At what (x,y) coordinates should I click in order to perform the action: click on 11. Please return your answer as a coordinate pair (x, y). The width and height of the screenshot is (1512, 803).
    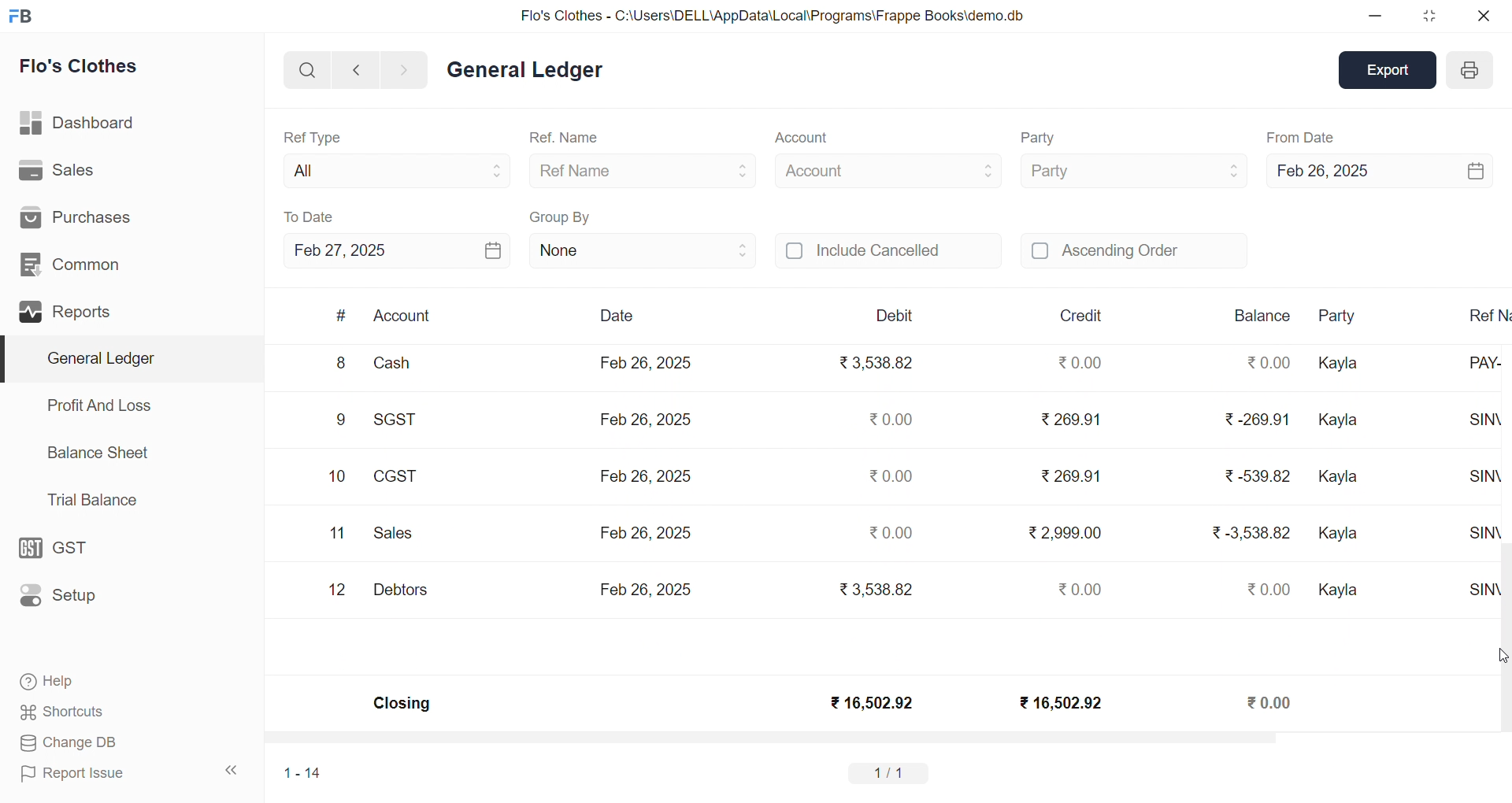
    Looking at the image, I should click on (337, 534).